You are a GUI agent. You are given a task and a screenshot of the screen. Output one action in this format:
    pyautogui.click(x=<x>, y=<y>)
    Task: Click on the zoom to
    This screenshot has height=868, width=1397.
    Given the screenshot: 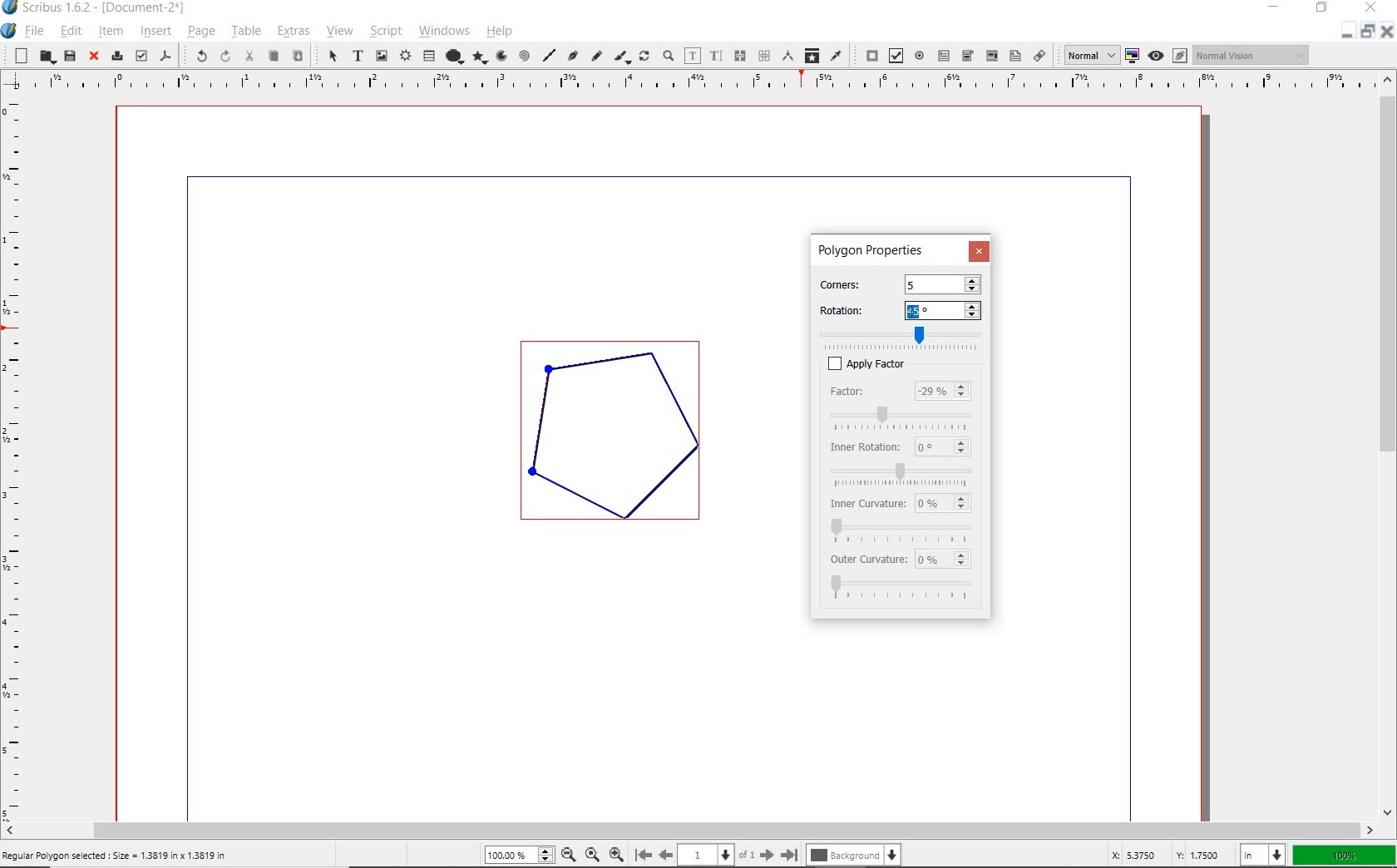 What is the action you would take?
    pyautogui.click(x=591, y=855)
    